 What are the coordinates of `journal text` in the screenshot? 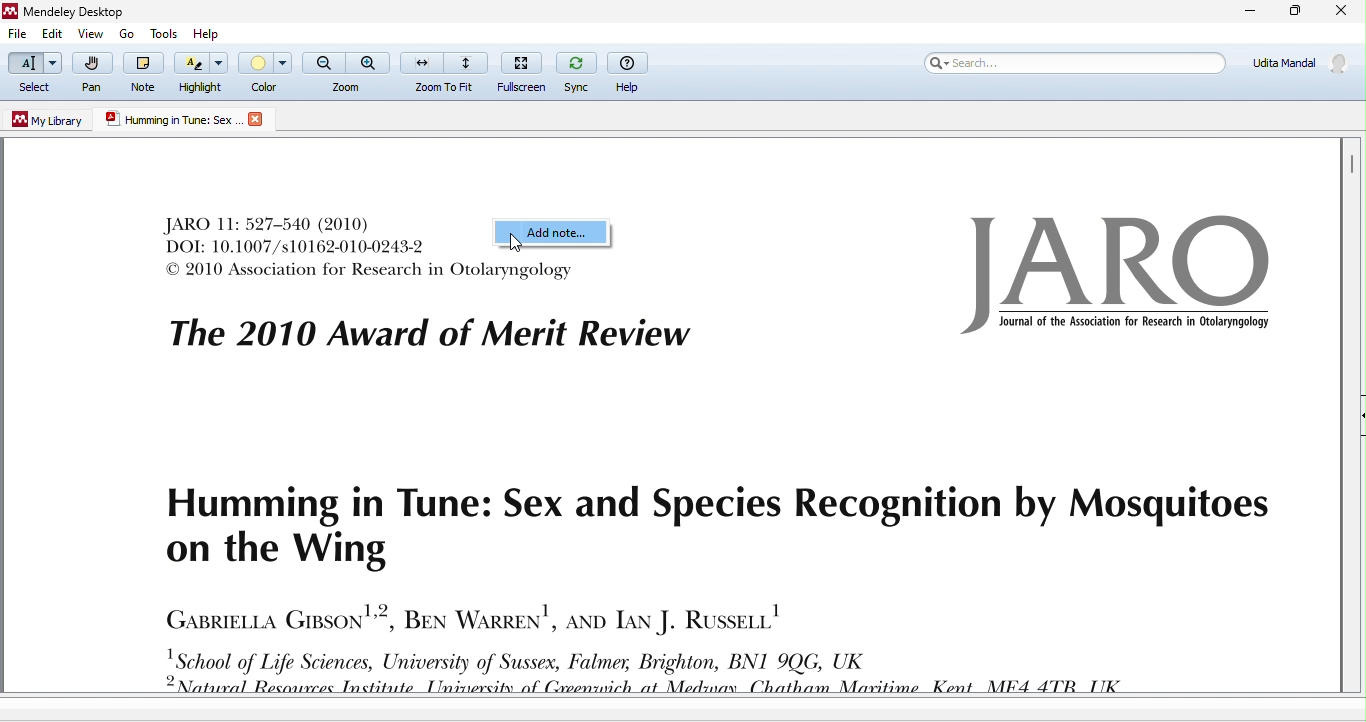 It's located at (425, 317).